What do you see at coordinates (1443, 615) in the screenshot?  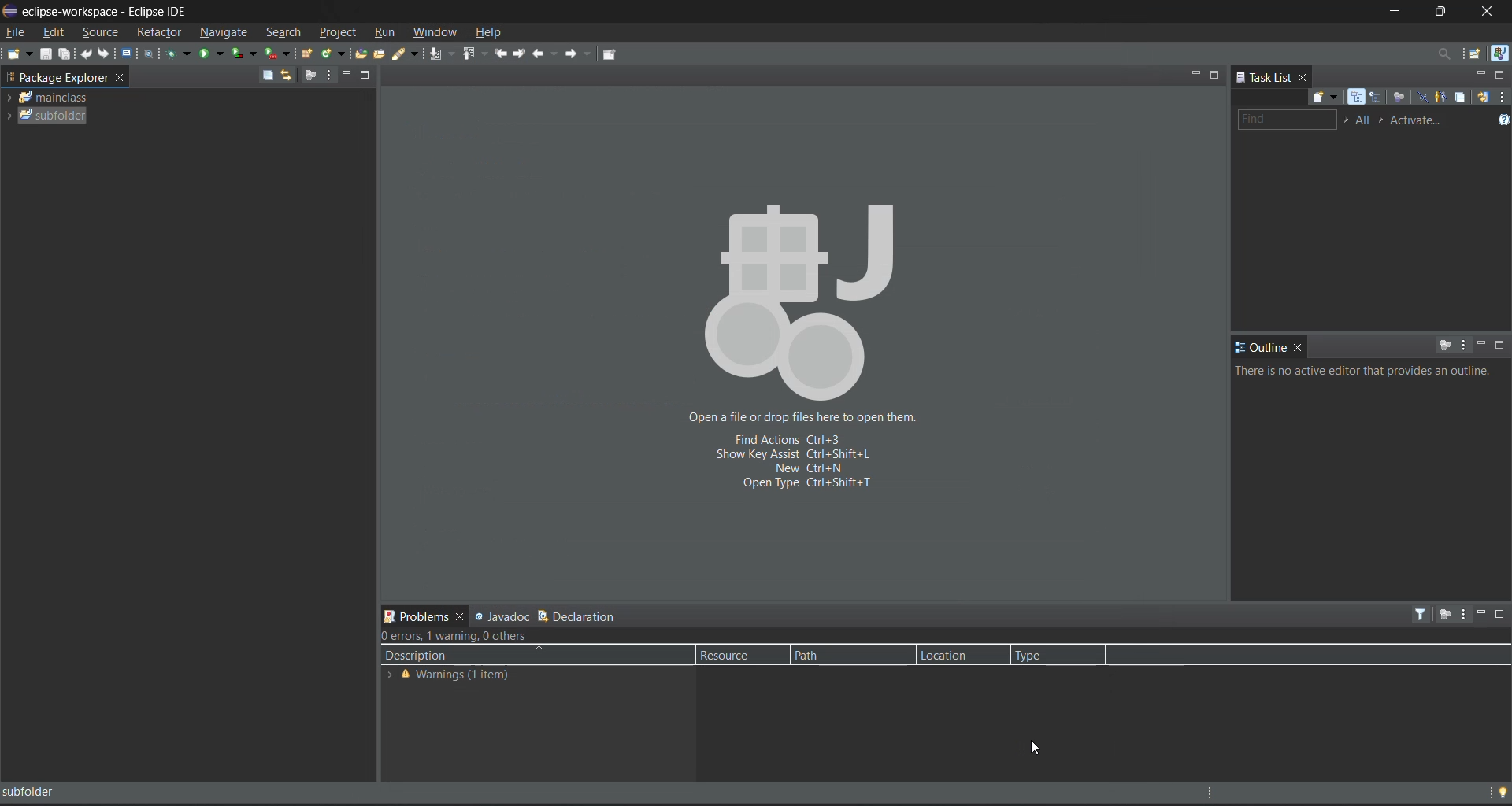 I see `focus on active task` at bounding box center [1443, 615].